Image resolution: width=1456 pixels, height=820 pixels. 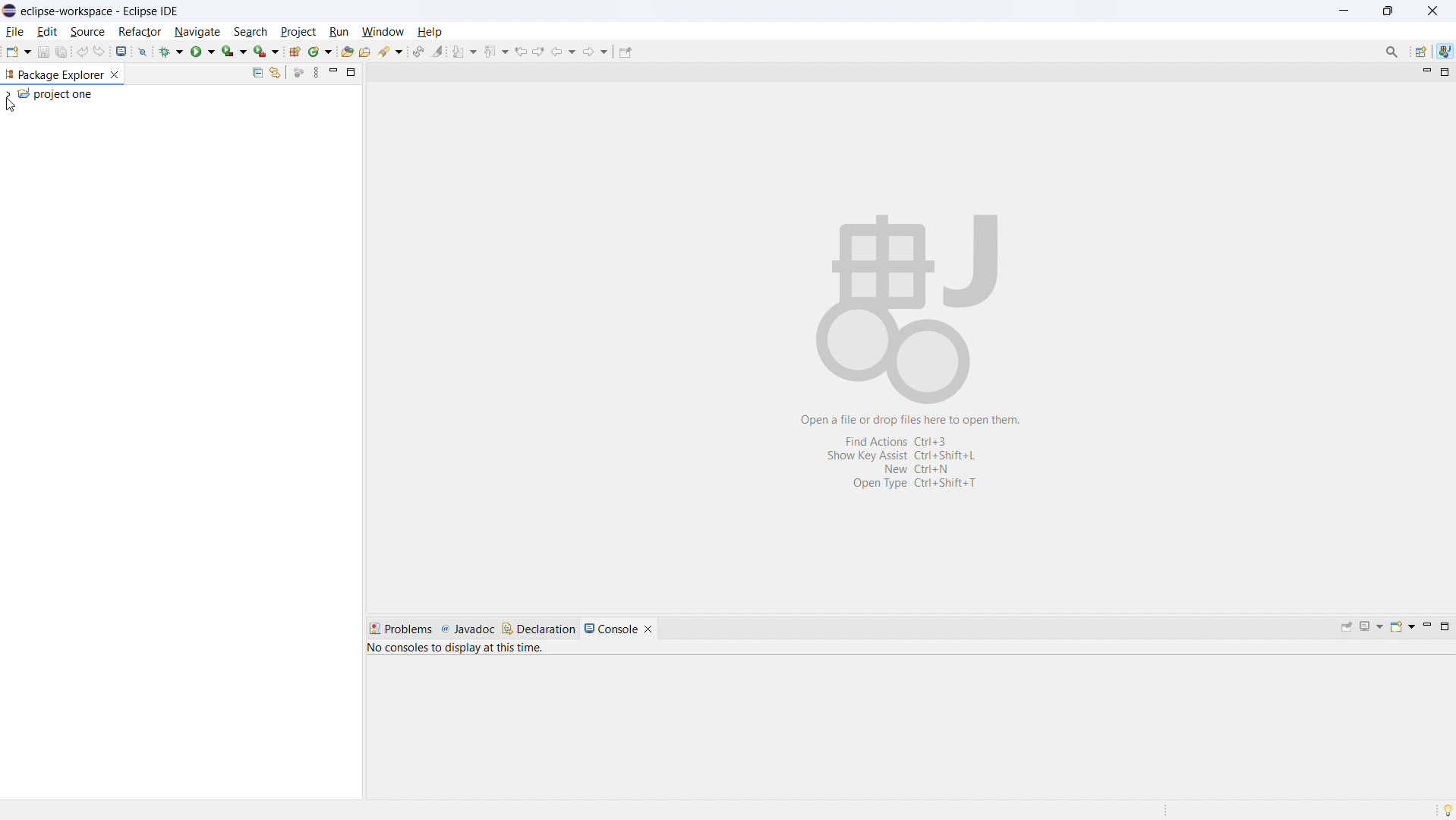 What do you see at coordinates (199, 30) in the screenshot?
I see `navigate` at bounding box center [199, 30].